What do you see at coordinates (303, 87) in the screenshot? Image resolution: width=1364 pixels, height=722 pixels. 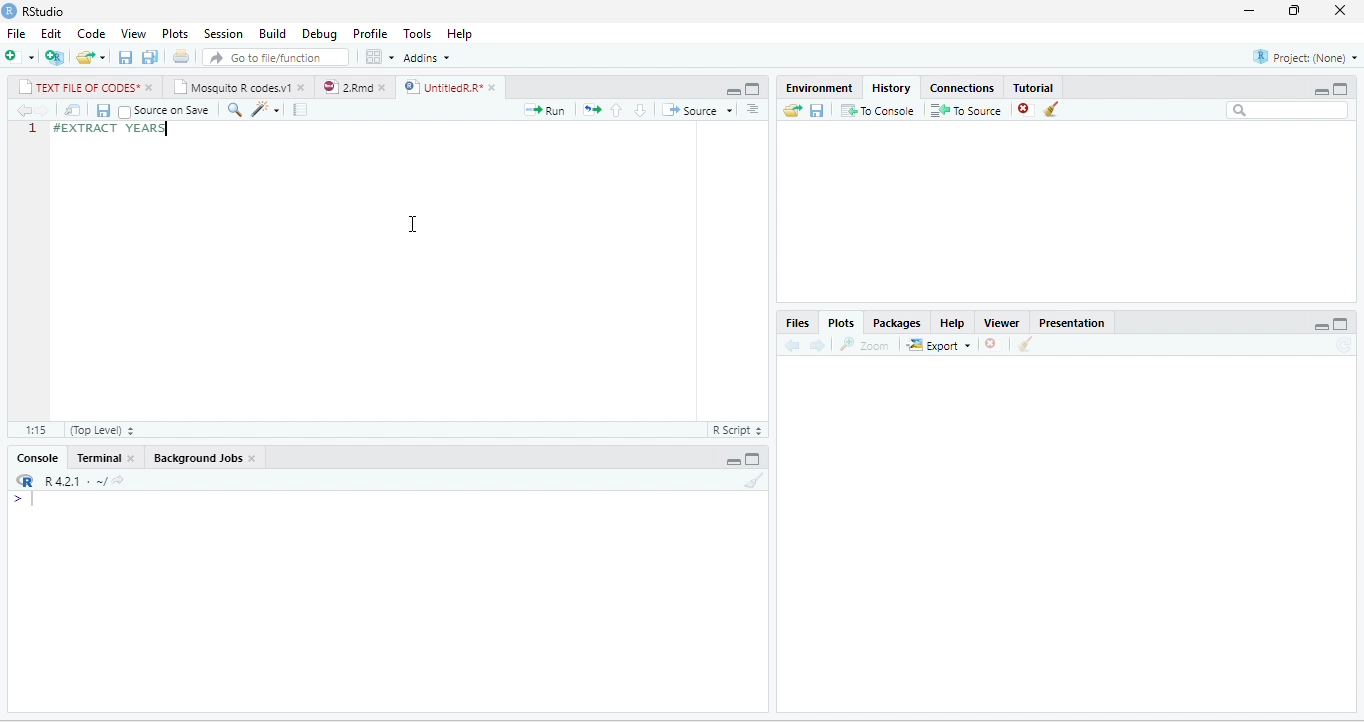 I see `close` at bounding box center [303, 87].